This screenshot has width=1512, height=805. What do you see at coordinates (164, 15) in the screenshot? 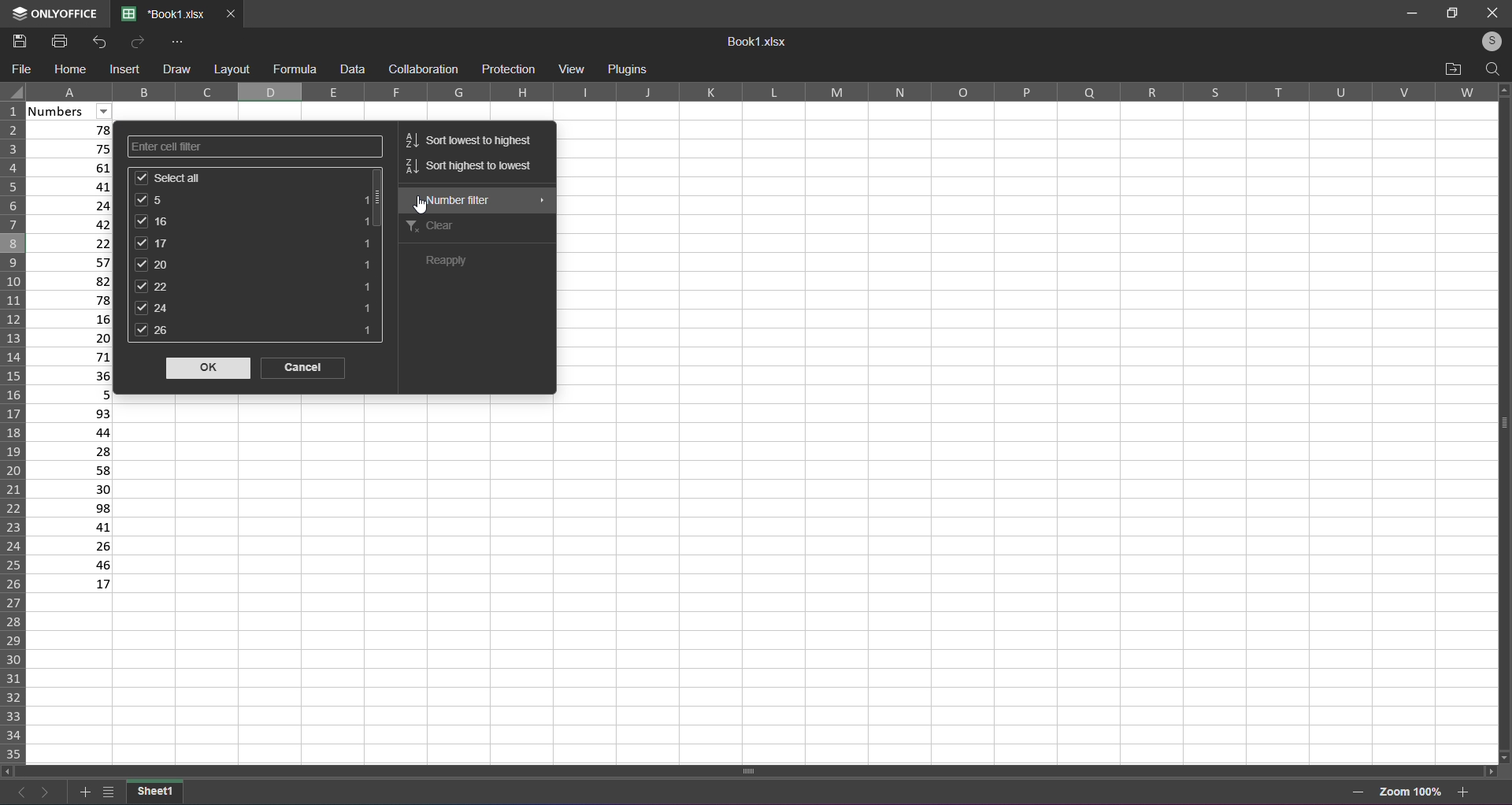
I see `*Book1.xlsx` at bounding box center [164, 15].